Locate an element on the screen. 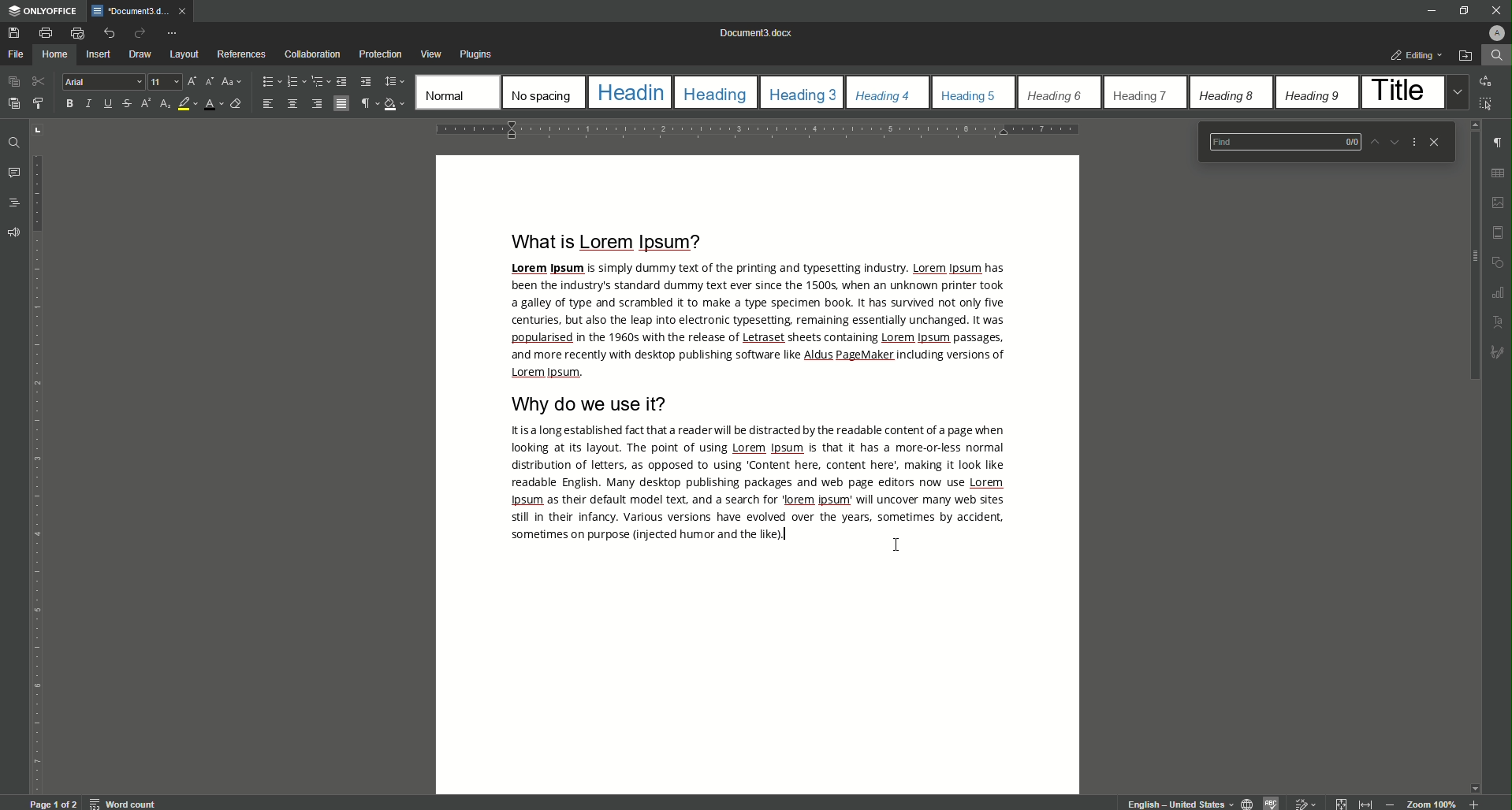  Heading is located at coordinates (631, 93).